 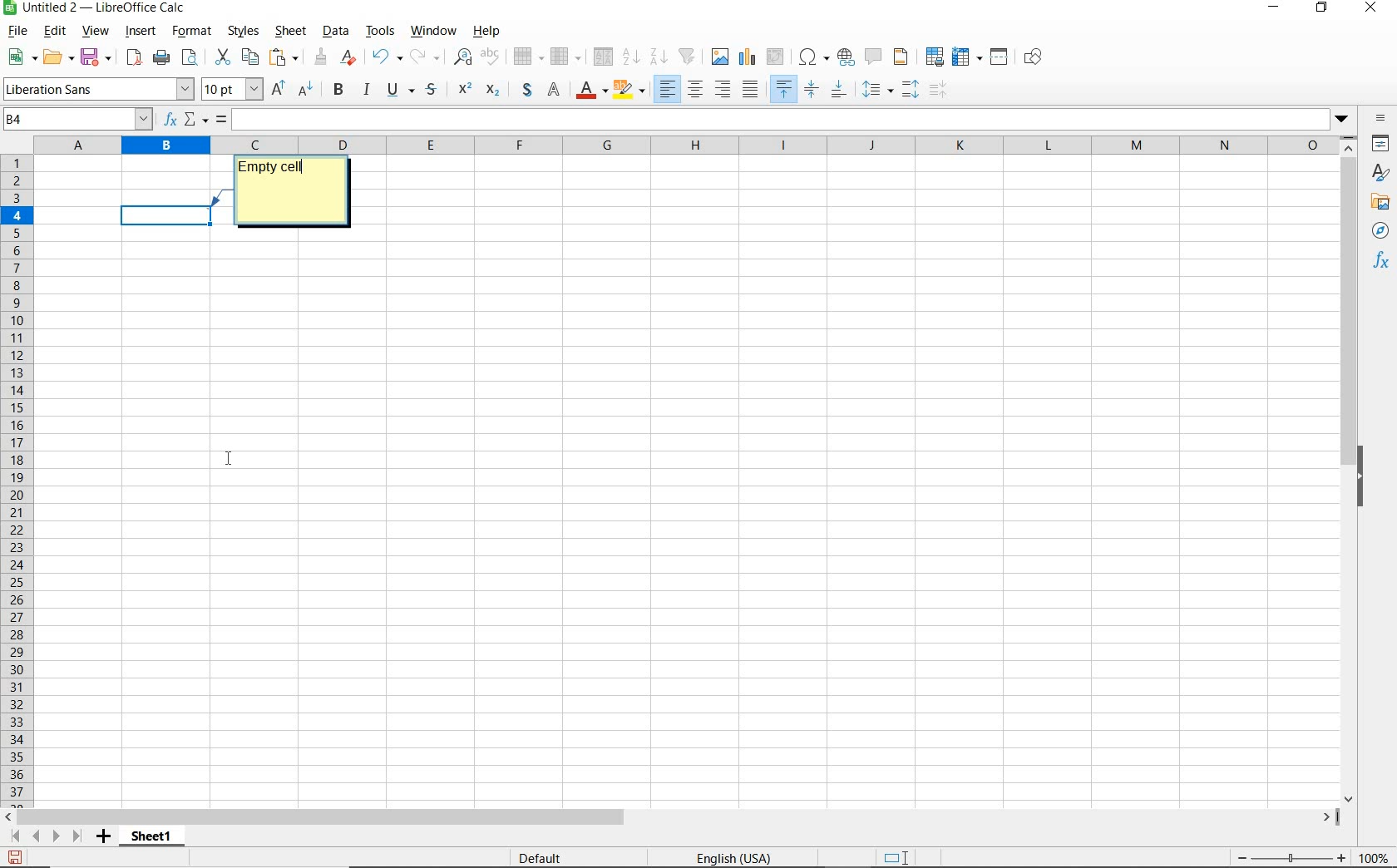 I want to click on insert chart, so click(x=747, y=58).